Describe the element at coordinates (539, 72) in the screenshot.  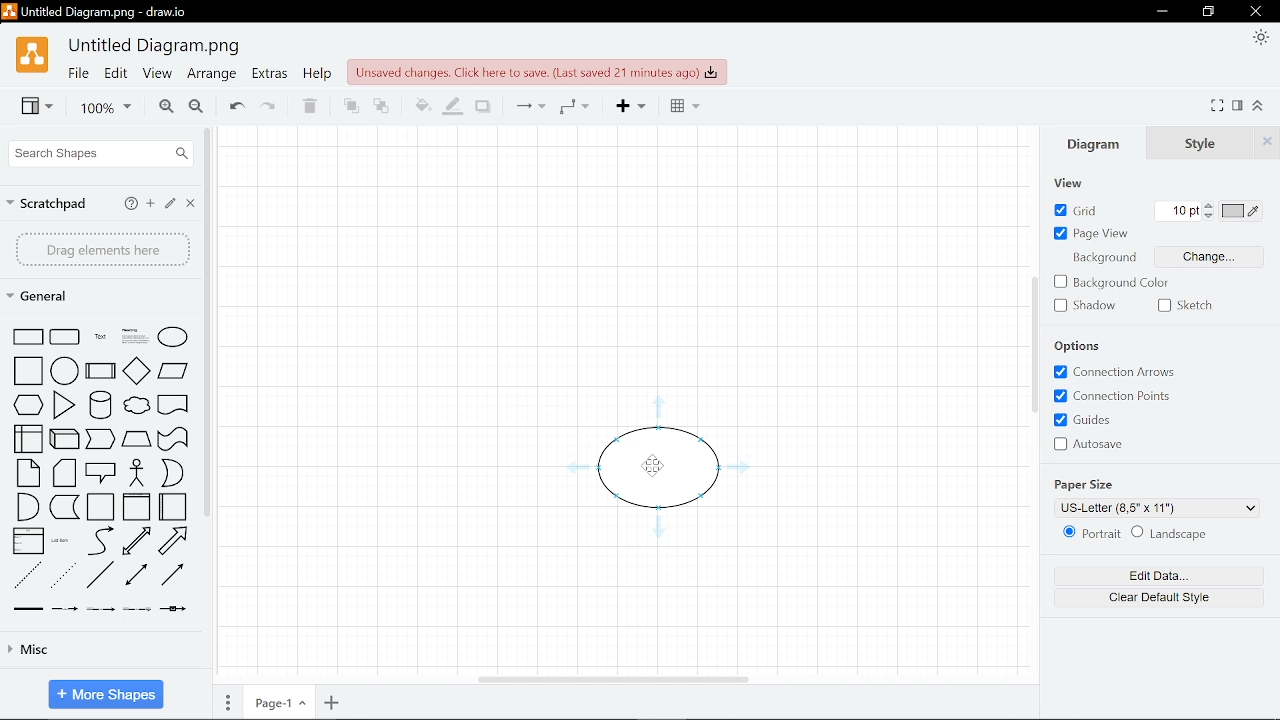
I see `Click here to save` at that location.